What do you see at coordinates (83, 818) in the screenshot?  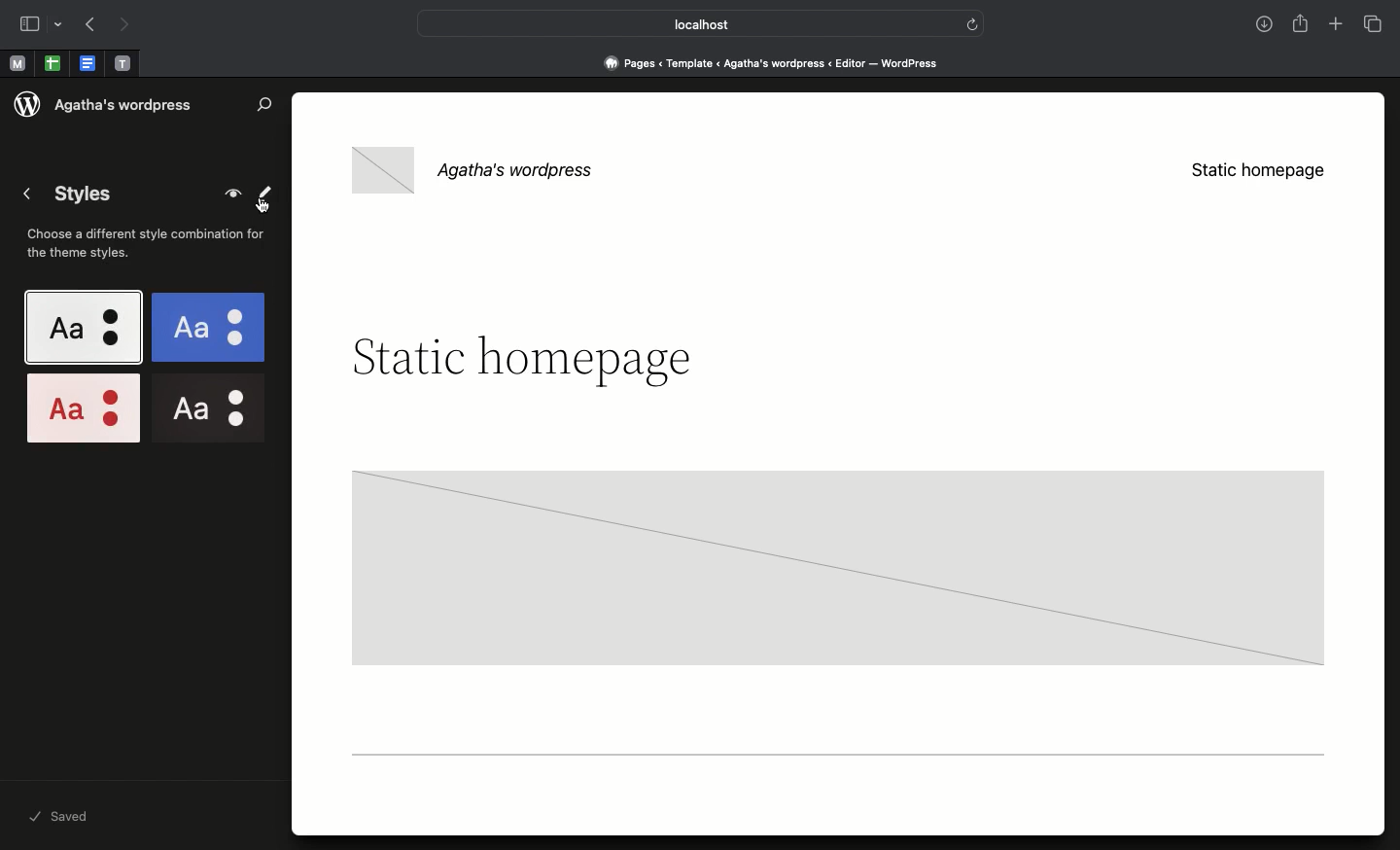 I see `saved` at bounding box center [83, 818].